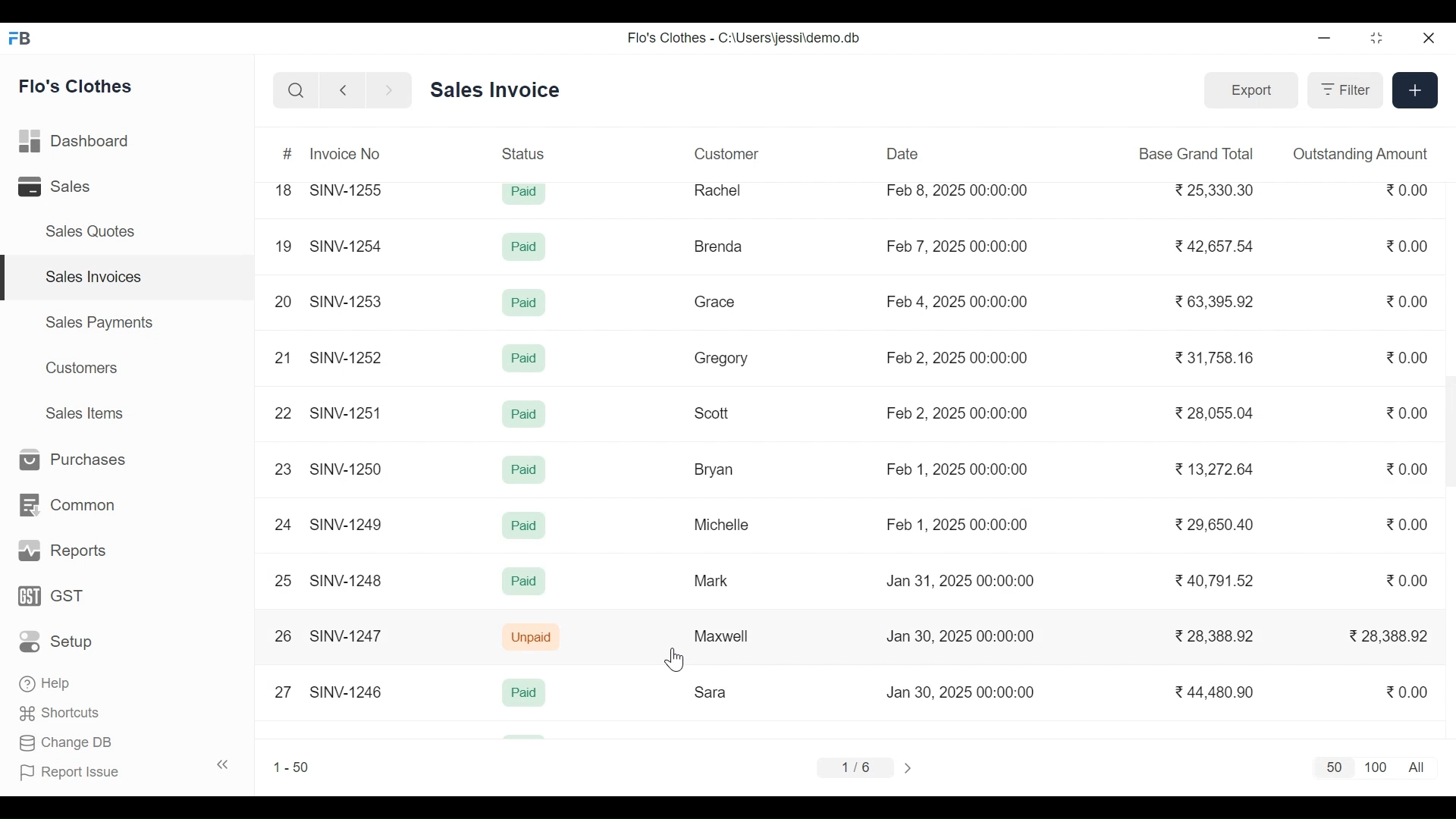  Describe the element at coordinates (77, 86) in the screenshot. I see `Flo's Clothes` at that location.